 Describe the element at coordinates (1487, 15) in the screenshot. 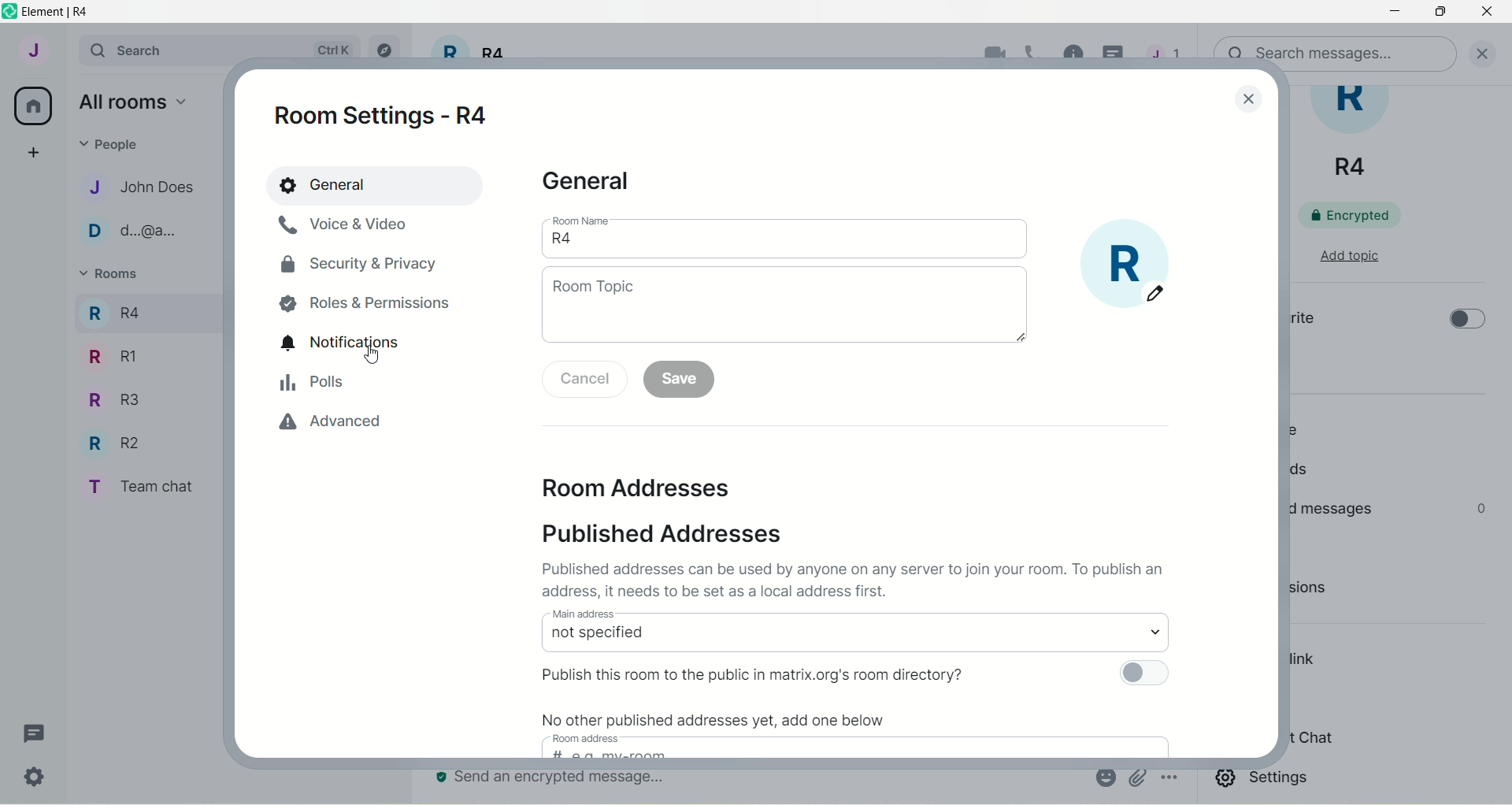

I see `close` at that location.